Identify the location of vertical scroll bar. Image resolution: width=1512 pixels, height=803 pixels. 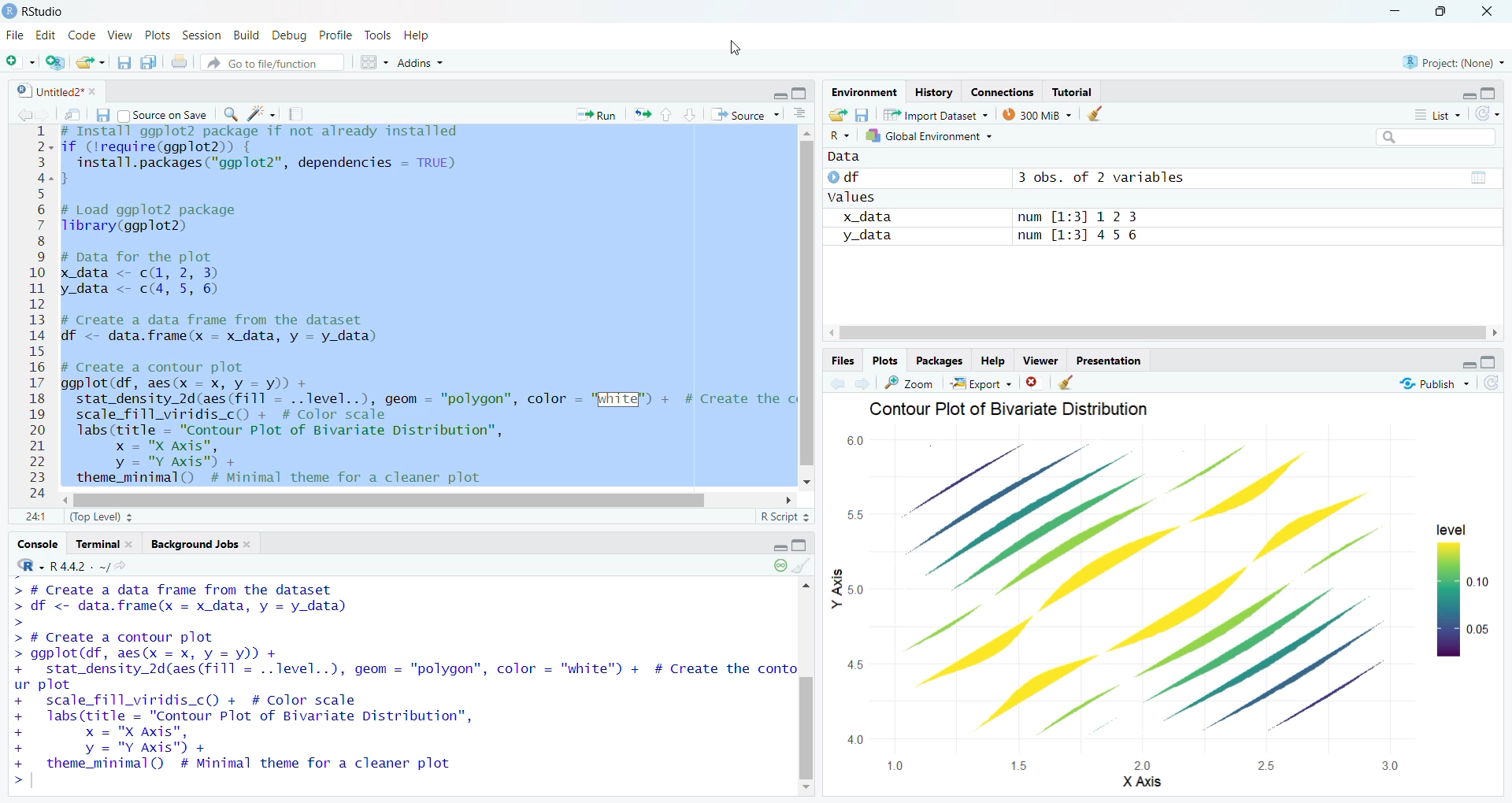
(809, 707).